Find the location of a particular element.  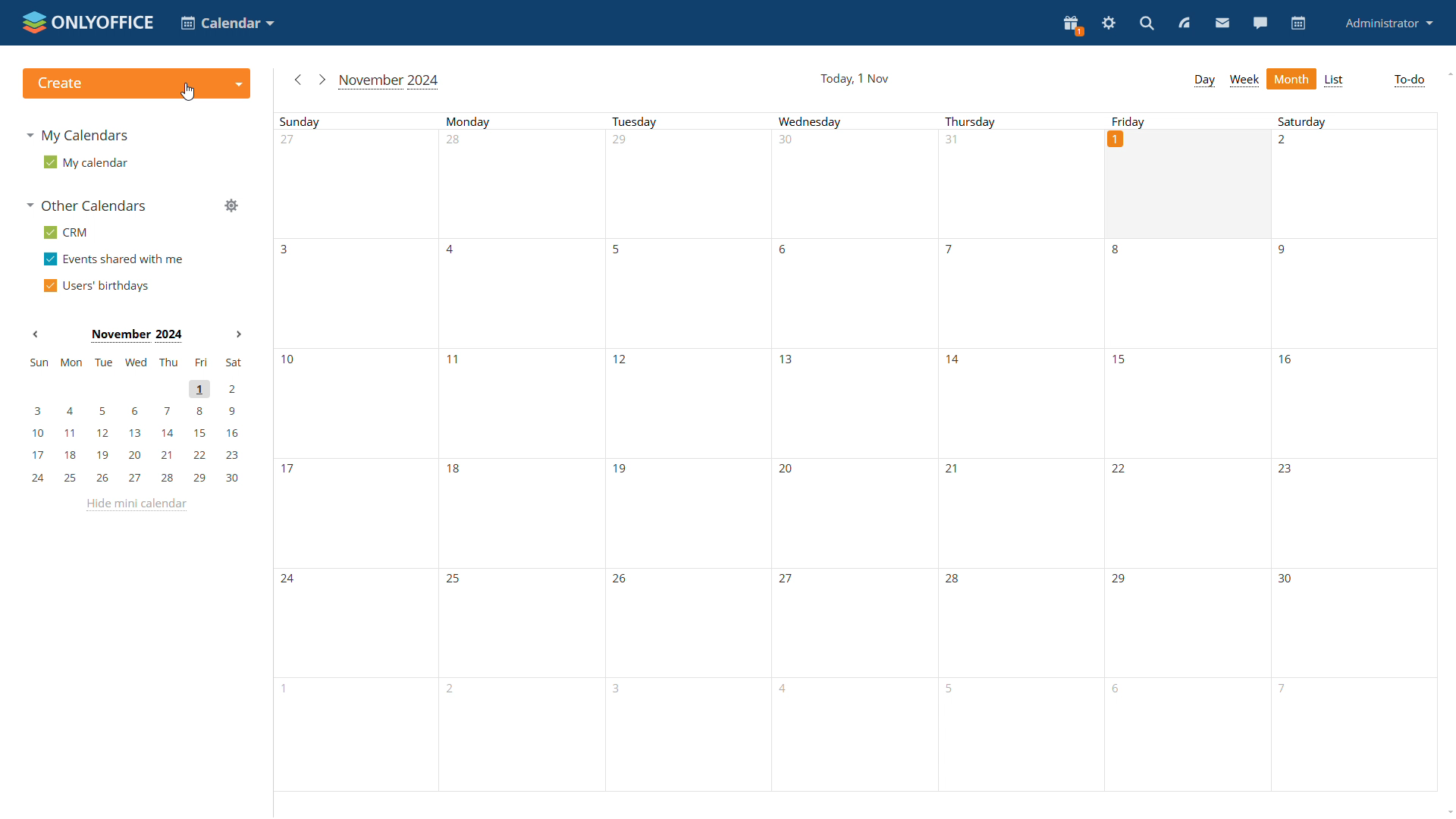

users' birthdays is located at coordinates (96, 284).